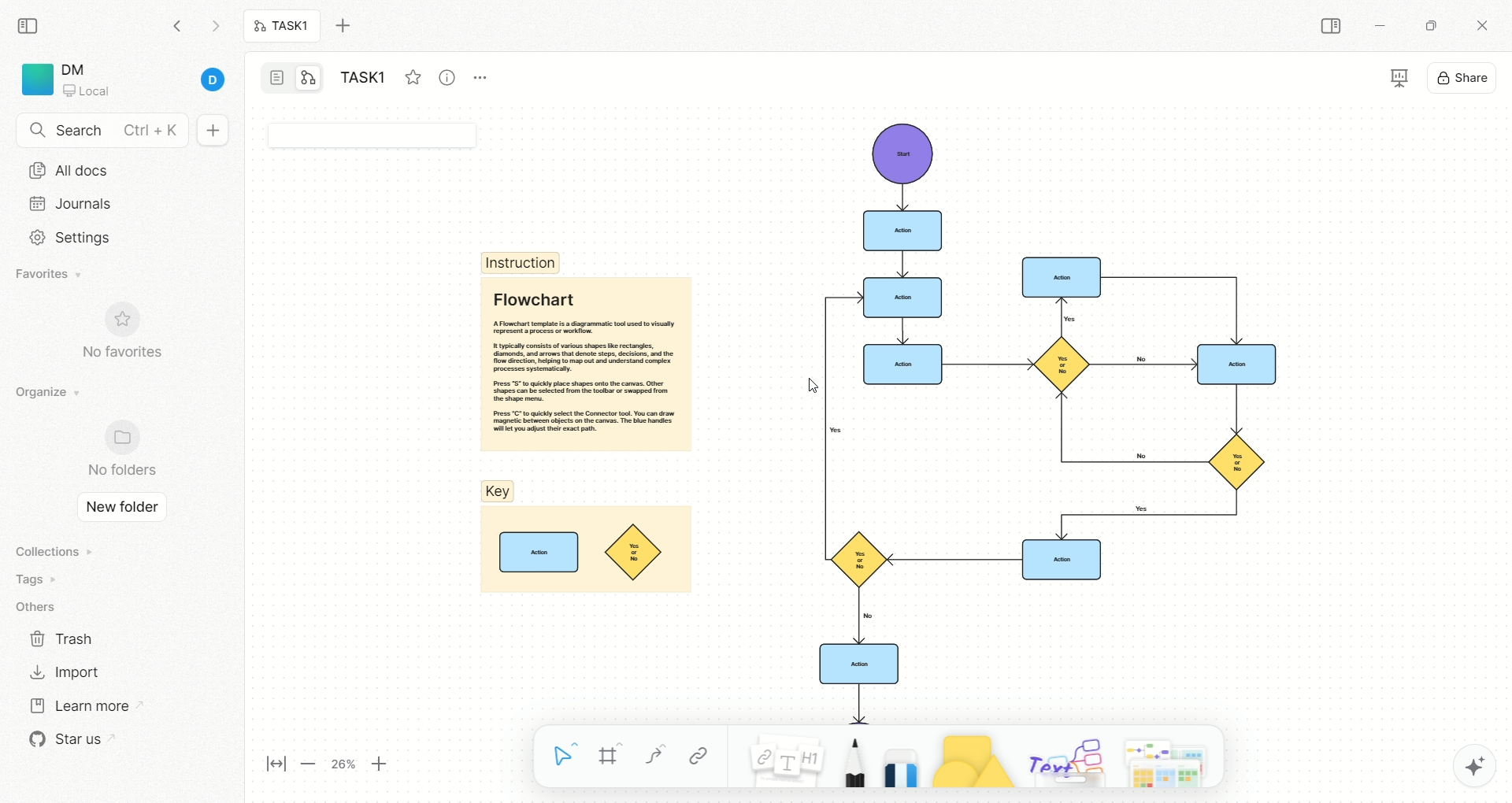 Image resolution: width=1512 pixels, height=803 pixels. I want to click on task1, so click(367, 80).